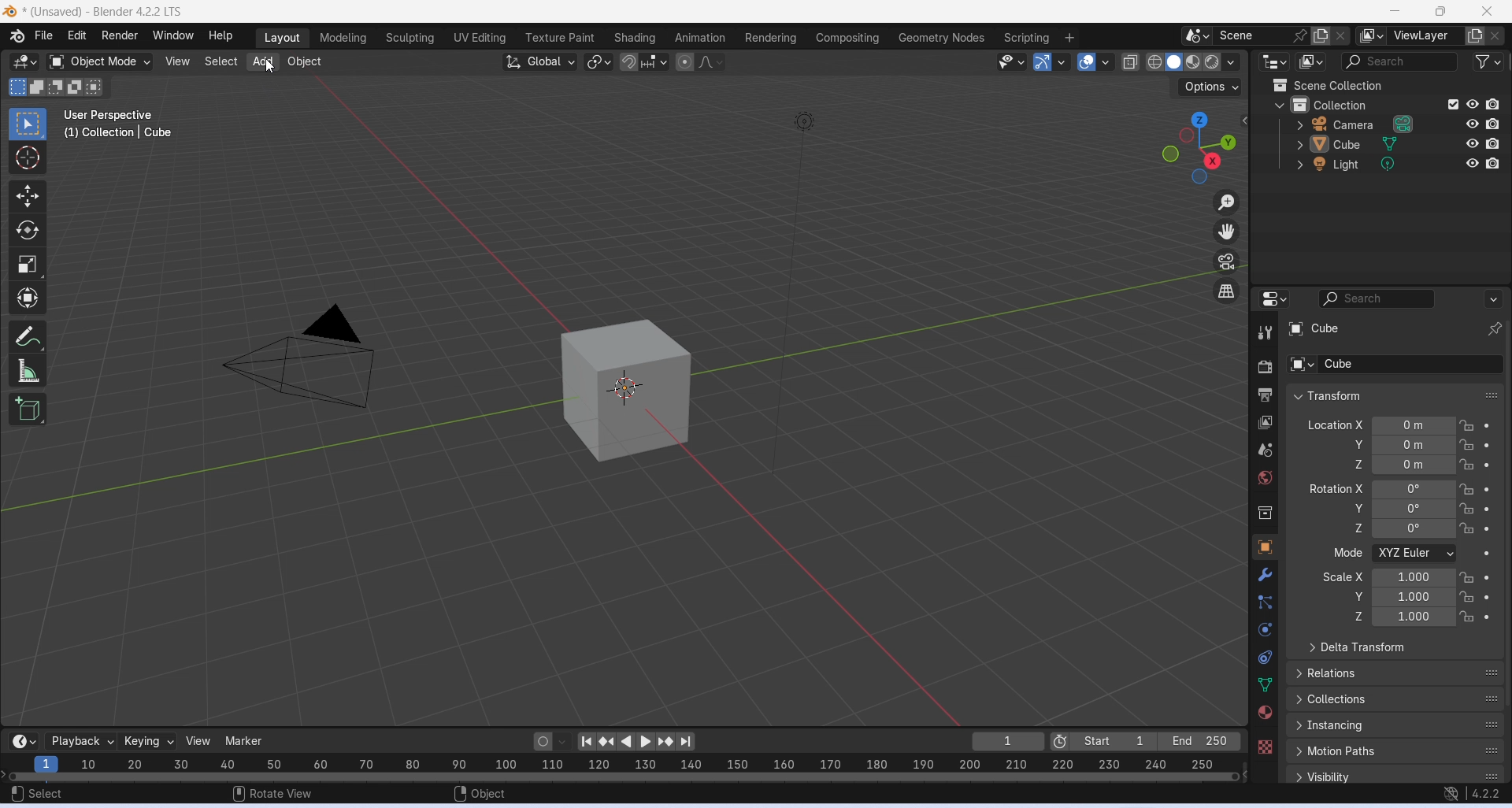 This screenshot has height=808, width=1512. What do you see at coordinates (1349, 507) in the screenshot?
I see `y` at bounding box center [1349, 507].